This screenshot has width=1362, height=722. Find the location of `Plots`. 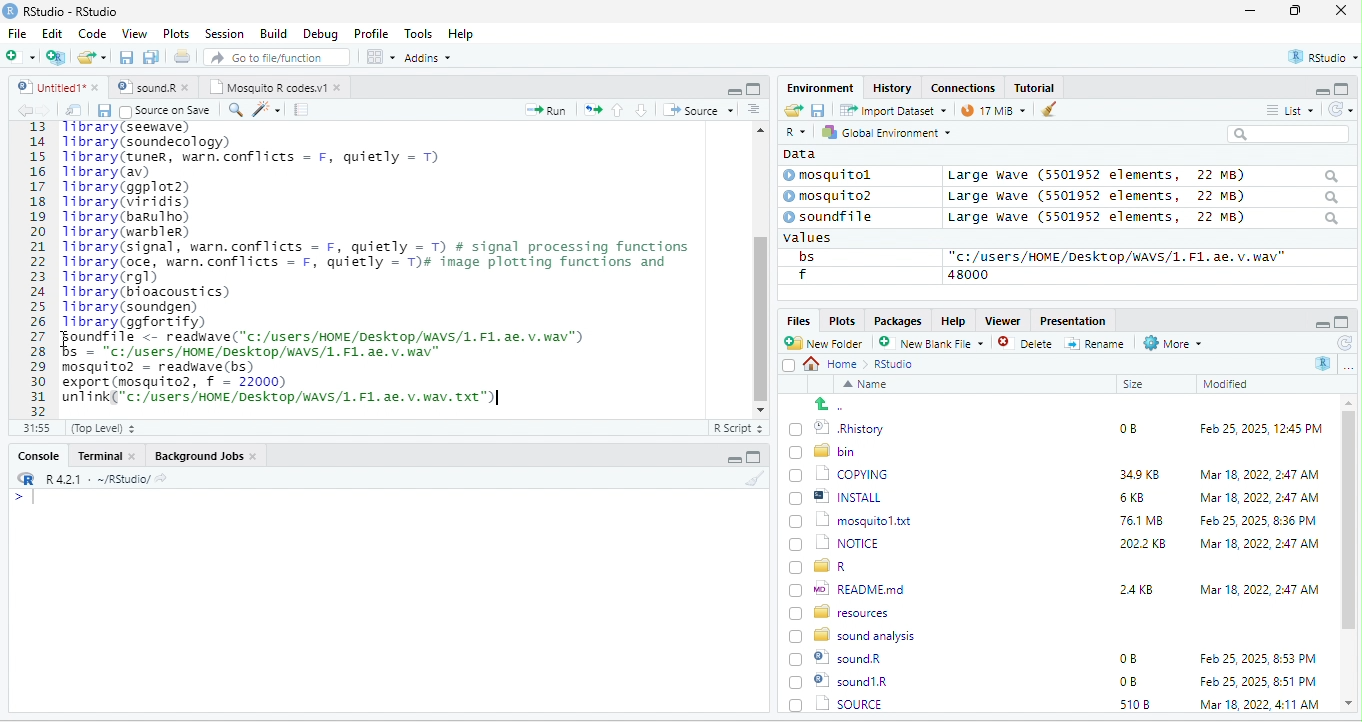

Plots is located at coordinates (842, 320).